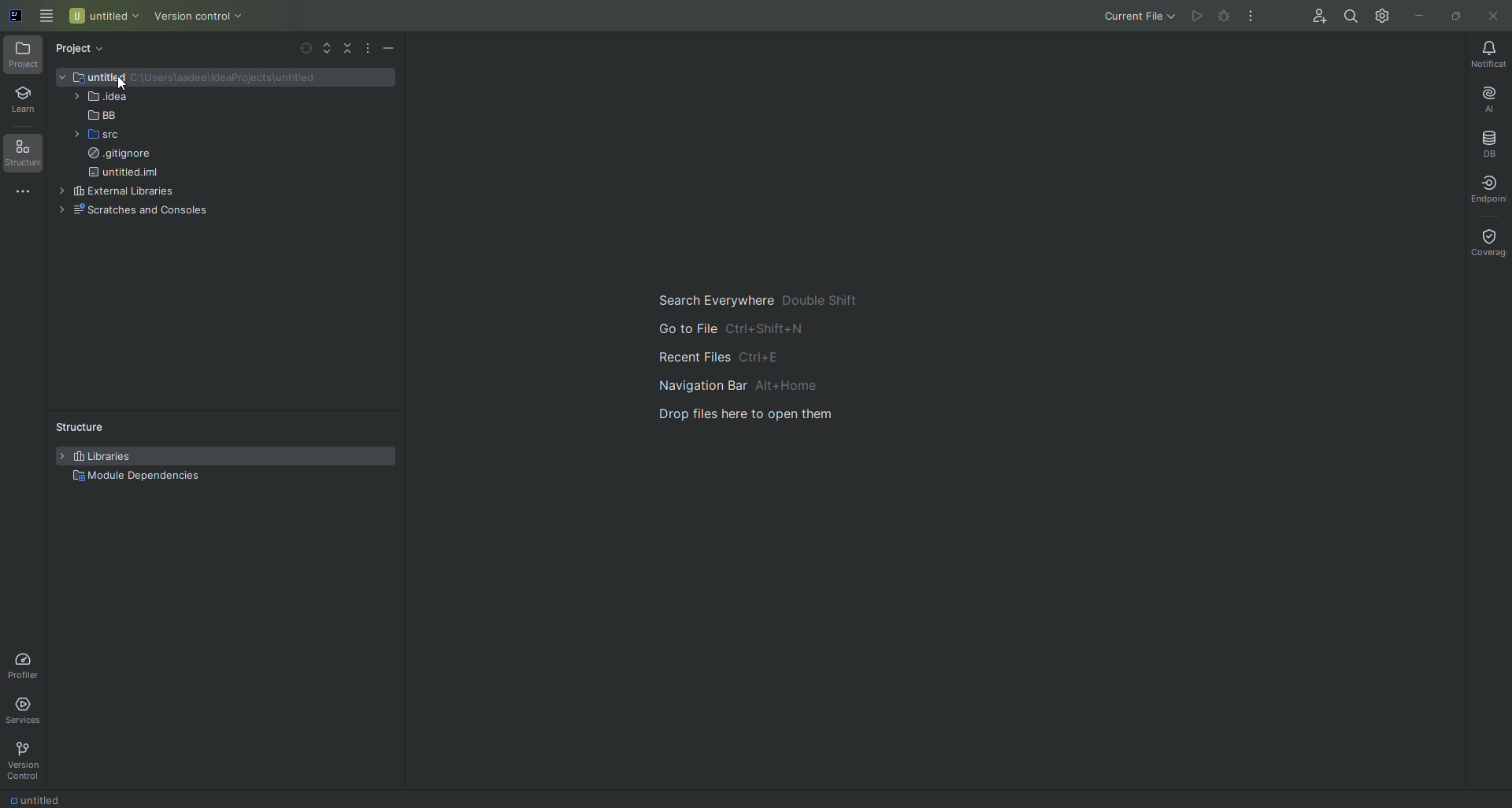  What do you see at coordinates (13, 22) in the screenshot?
I see `Application icon` at bounding box center [13, 22].